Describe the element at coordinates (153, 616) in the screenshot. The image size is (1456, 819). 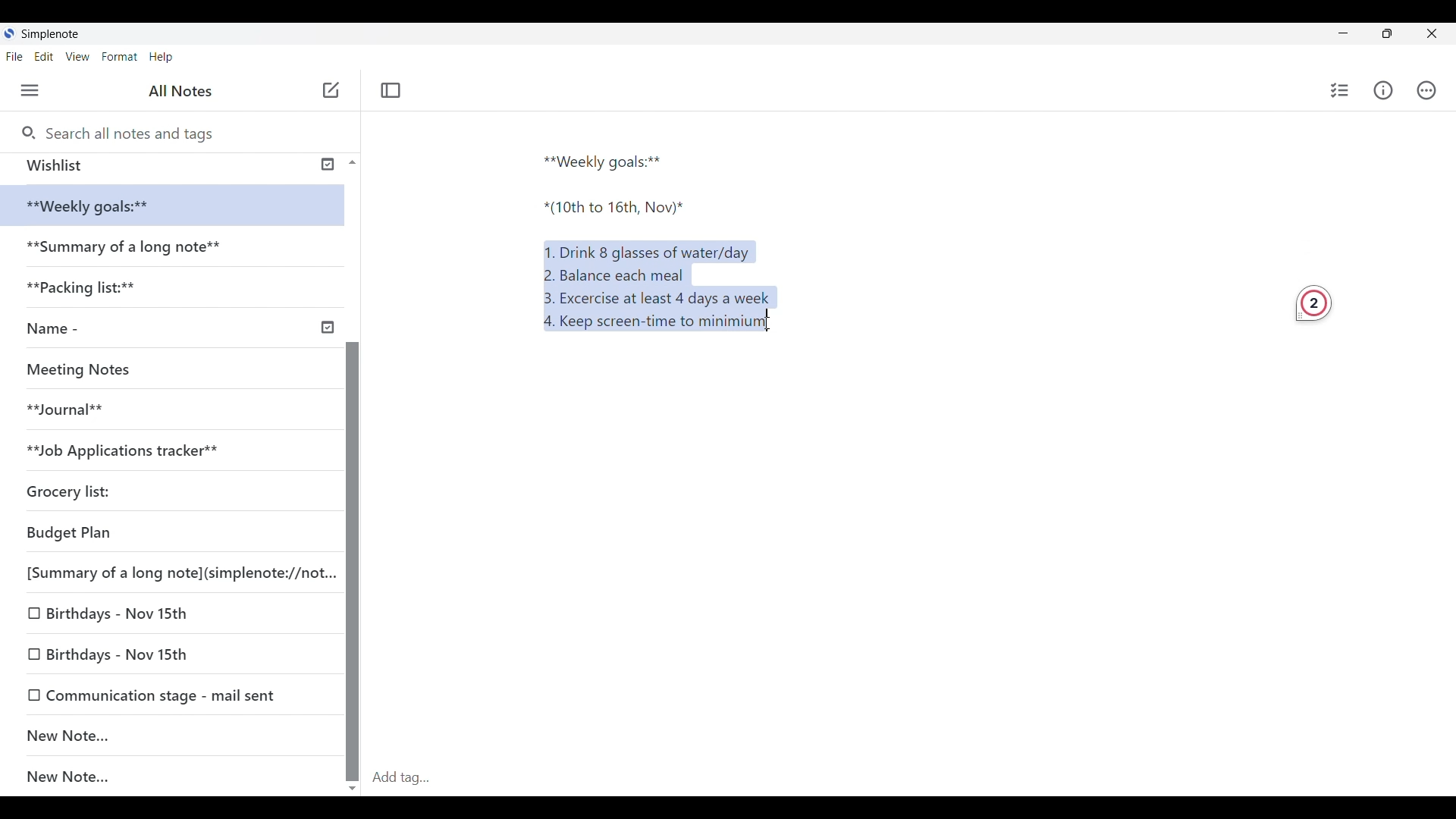
I see `Birthdays - Nov 15th` at that location.